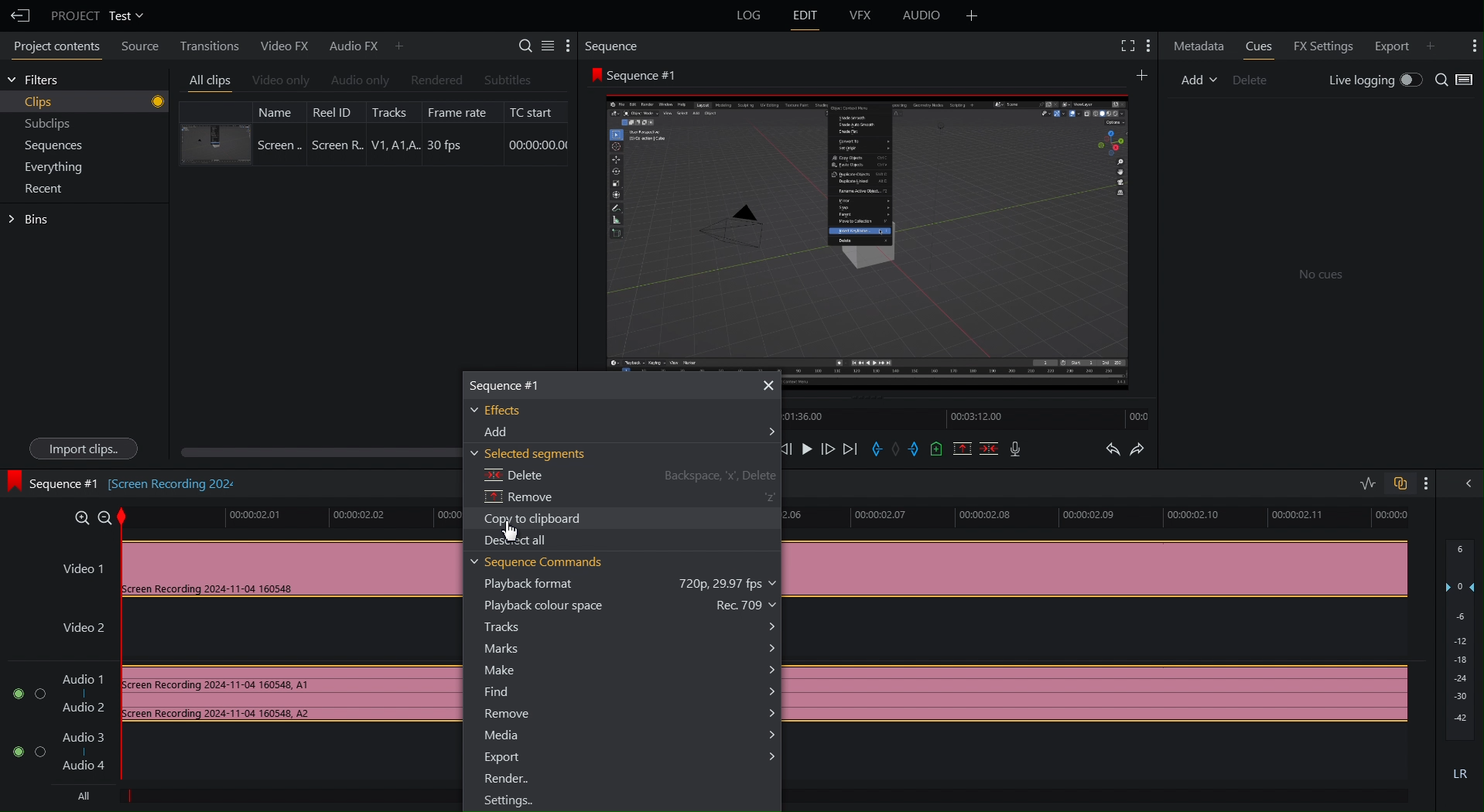 This screenshot has width=1484, height=812. Describe the element at coordinates (634, 647) in the screenshot. I see `Marks` at that location.